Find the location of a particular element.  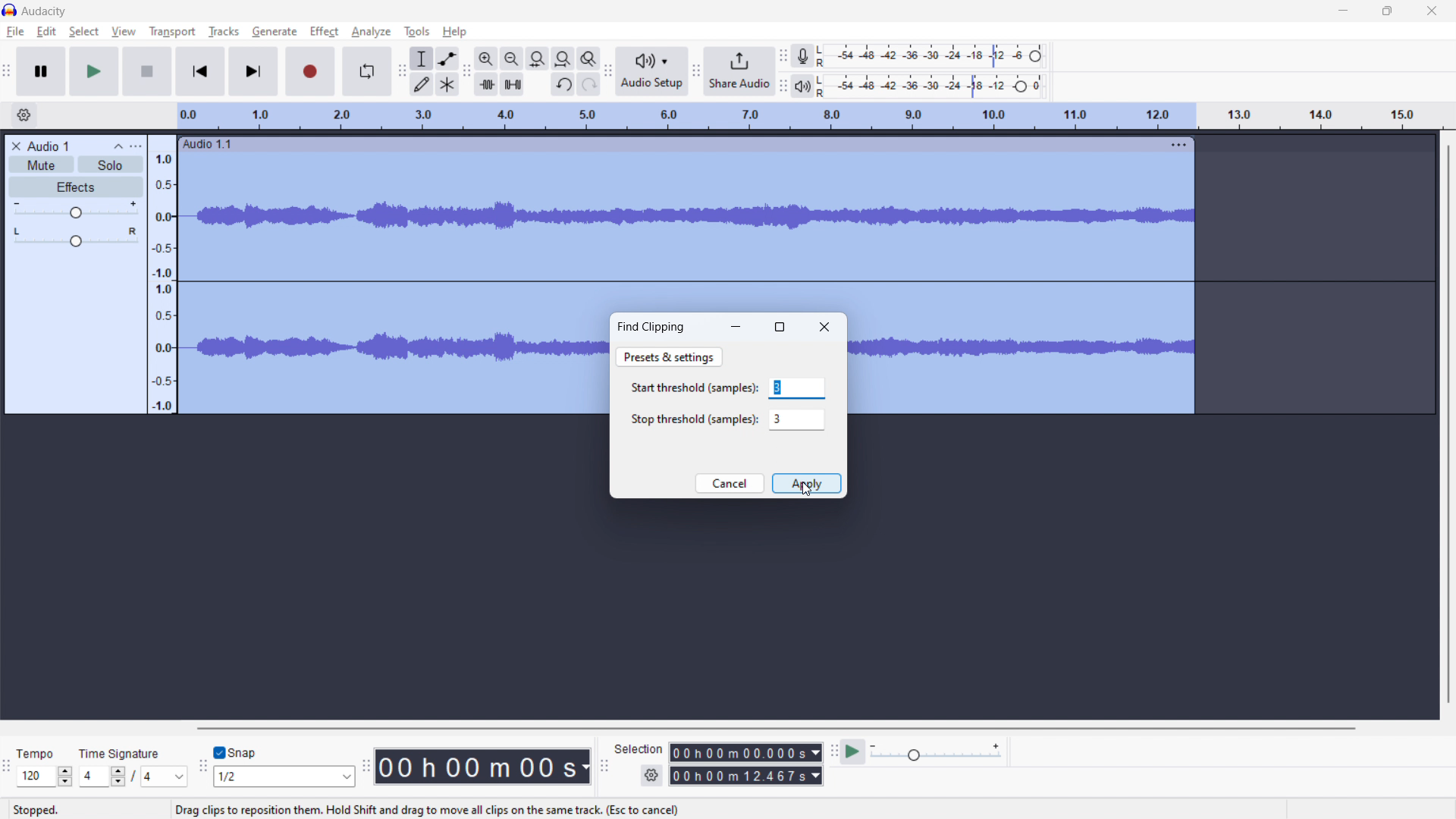

track selected is located at coordinates (685, 234).